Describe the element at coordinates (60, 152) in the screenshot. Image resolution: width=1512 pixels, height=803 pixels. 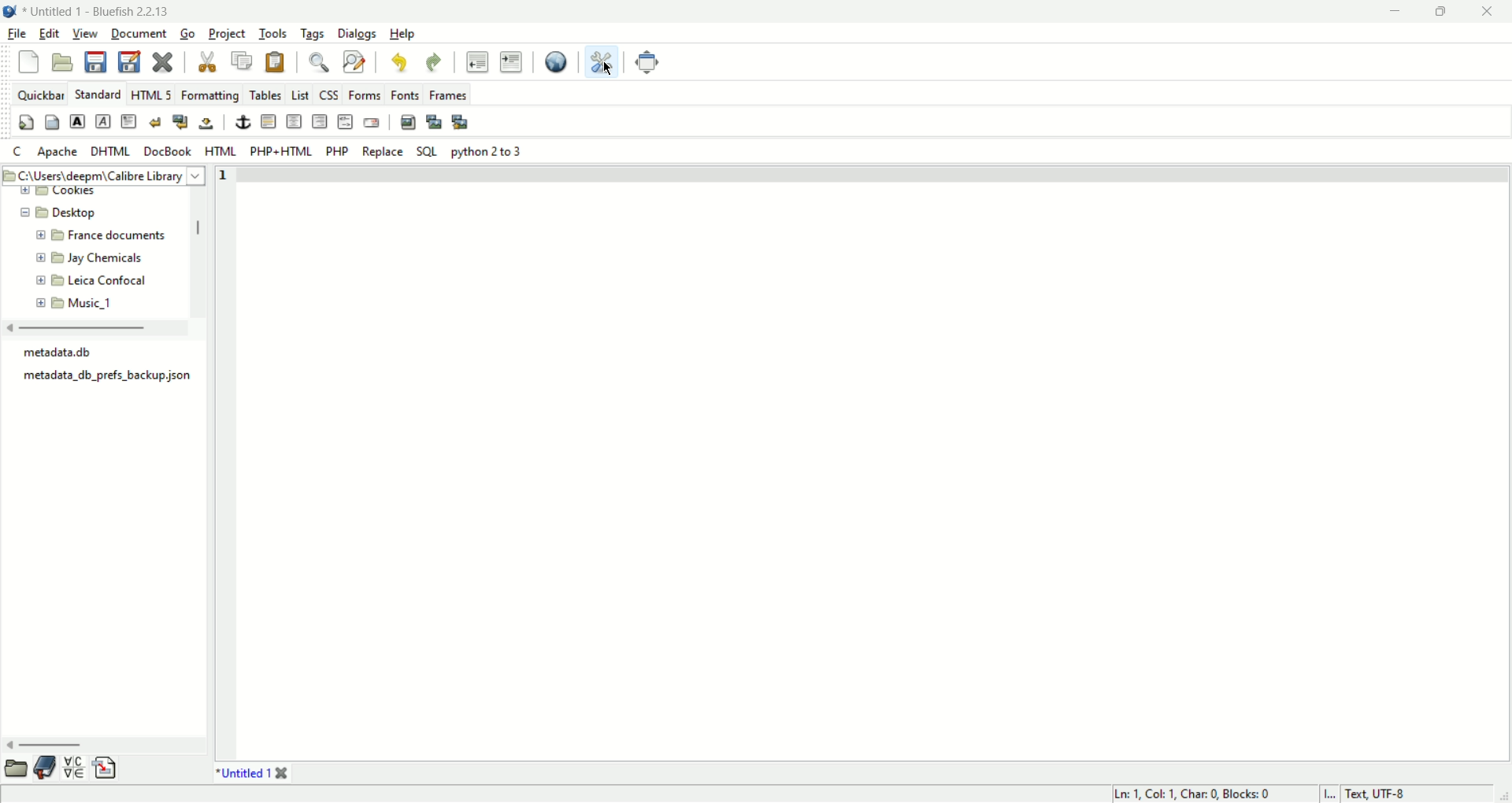
I see `apache` at that location.